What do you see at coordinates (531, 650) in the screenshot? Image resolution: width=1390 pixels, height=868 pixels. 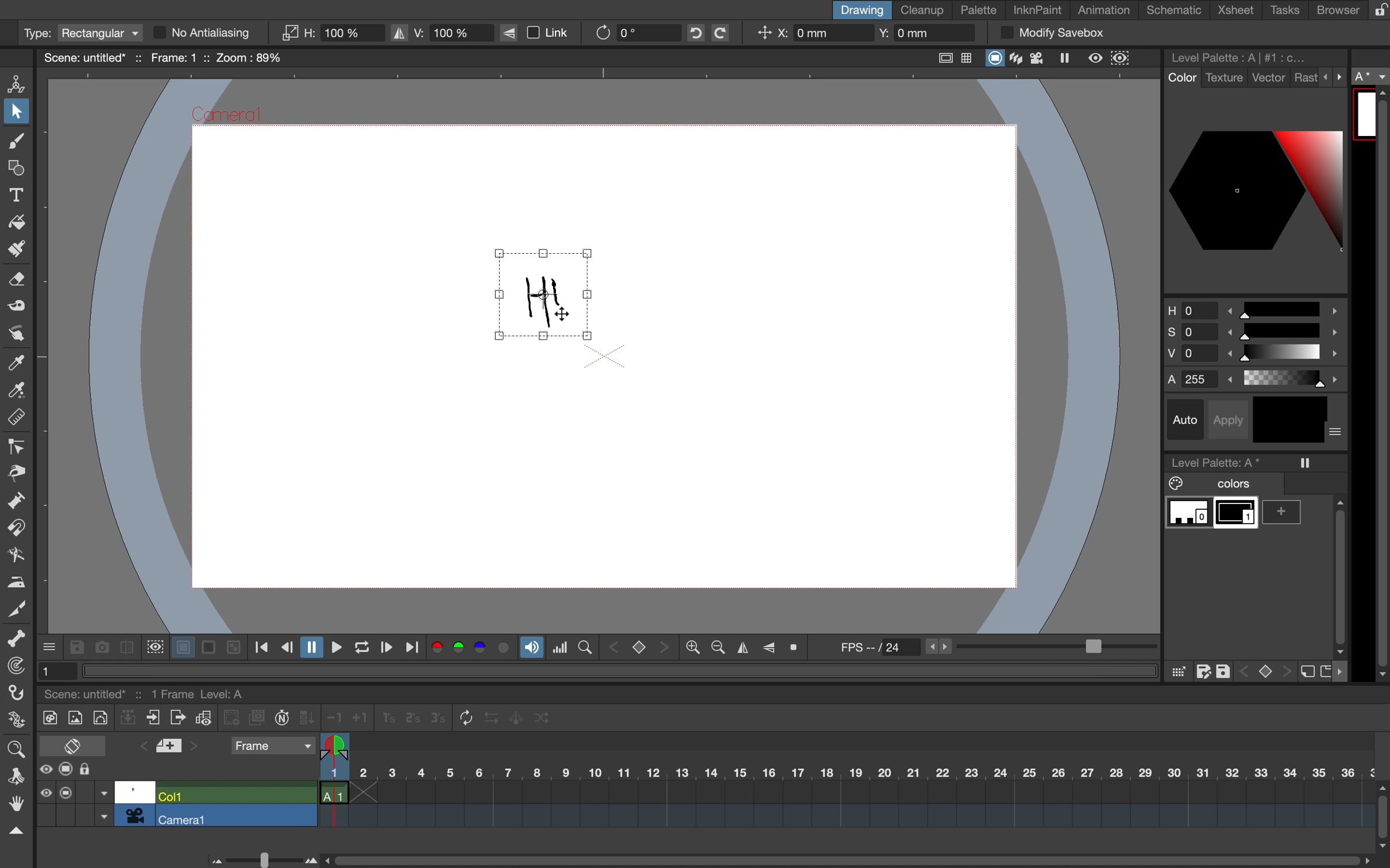 I see `soundtrack` at bounding box center [531, 650].